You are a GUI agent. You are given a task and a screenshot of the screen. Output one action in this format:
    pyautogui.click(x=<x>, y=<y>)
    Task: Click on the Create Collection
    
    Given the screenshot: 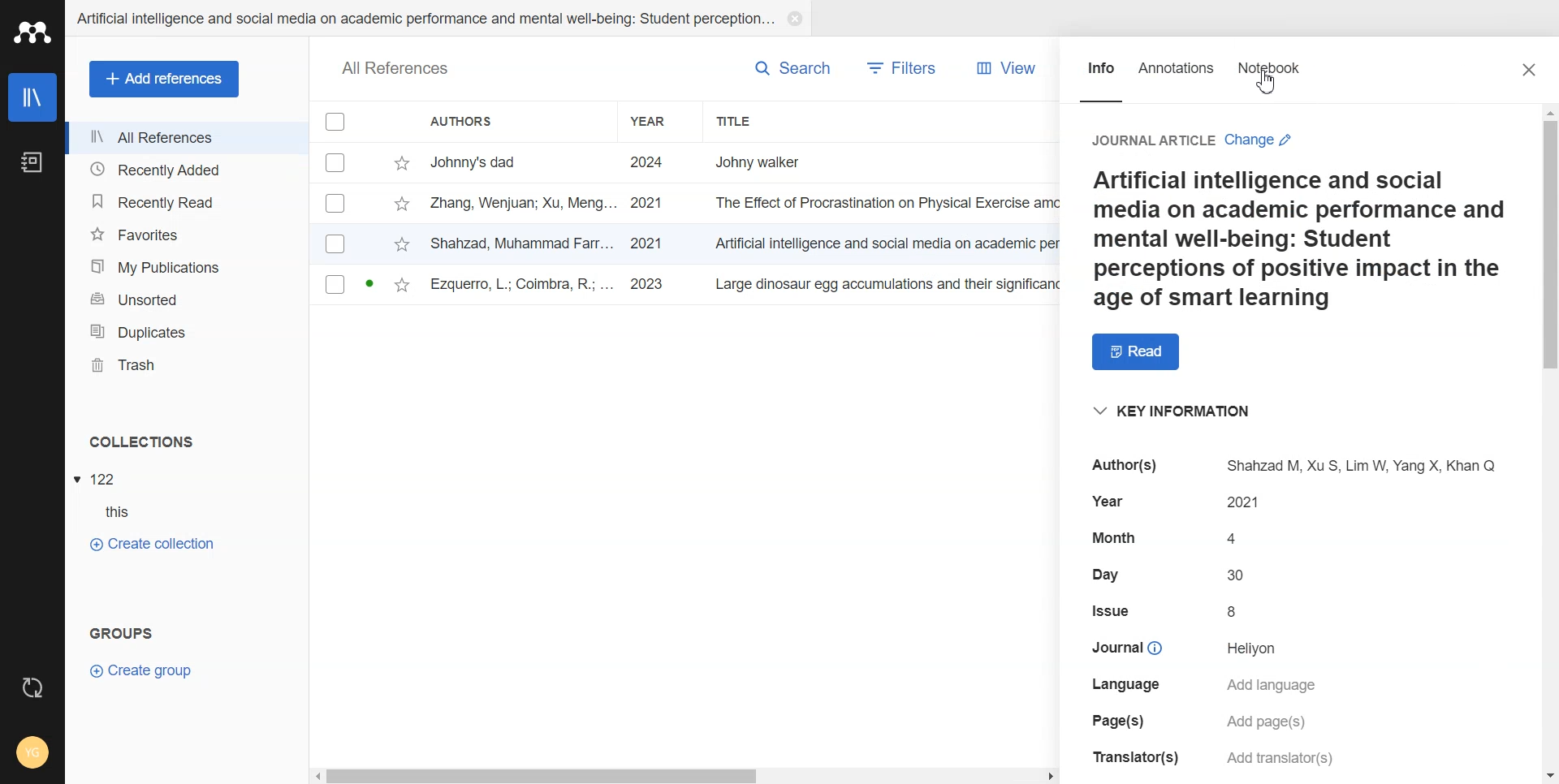 What is the action you would take?
    pyautogui.click(x=151, y=543)
    